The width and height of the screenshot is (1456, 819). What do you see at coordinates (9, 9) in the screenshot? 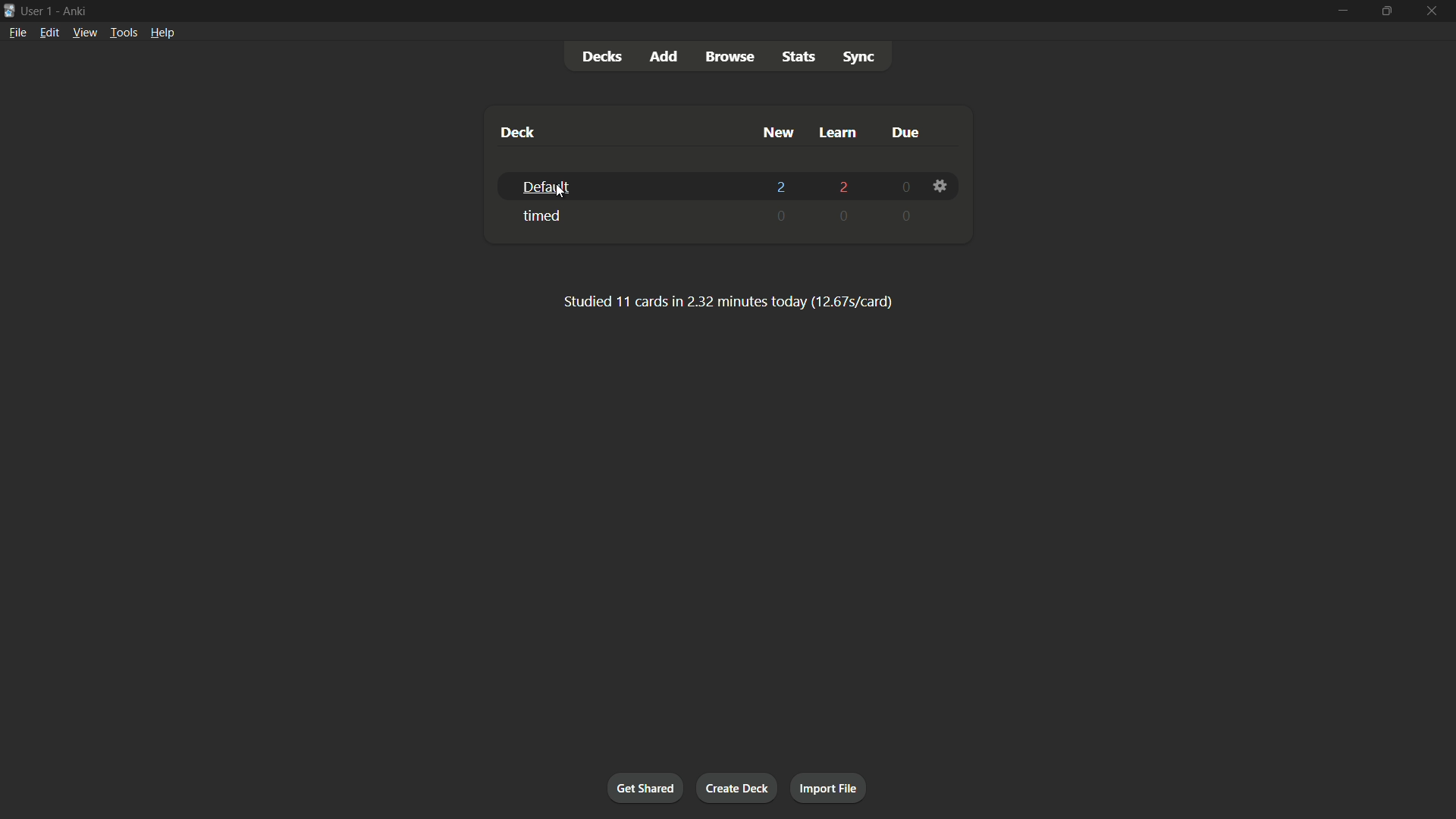
I see `app icon` at bounding box center [9, 9].